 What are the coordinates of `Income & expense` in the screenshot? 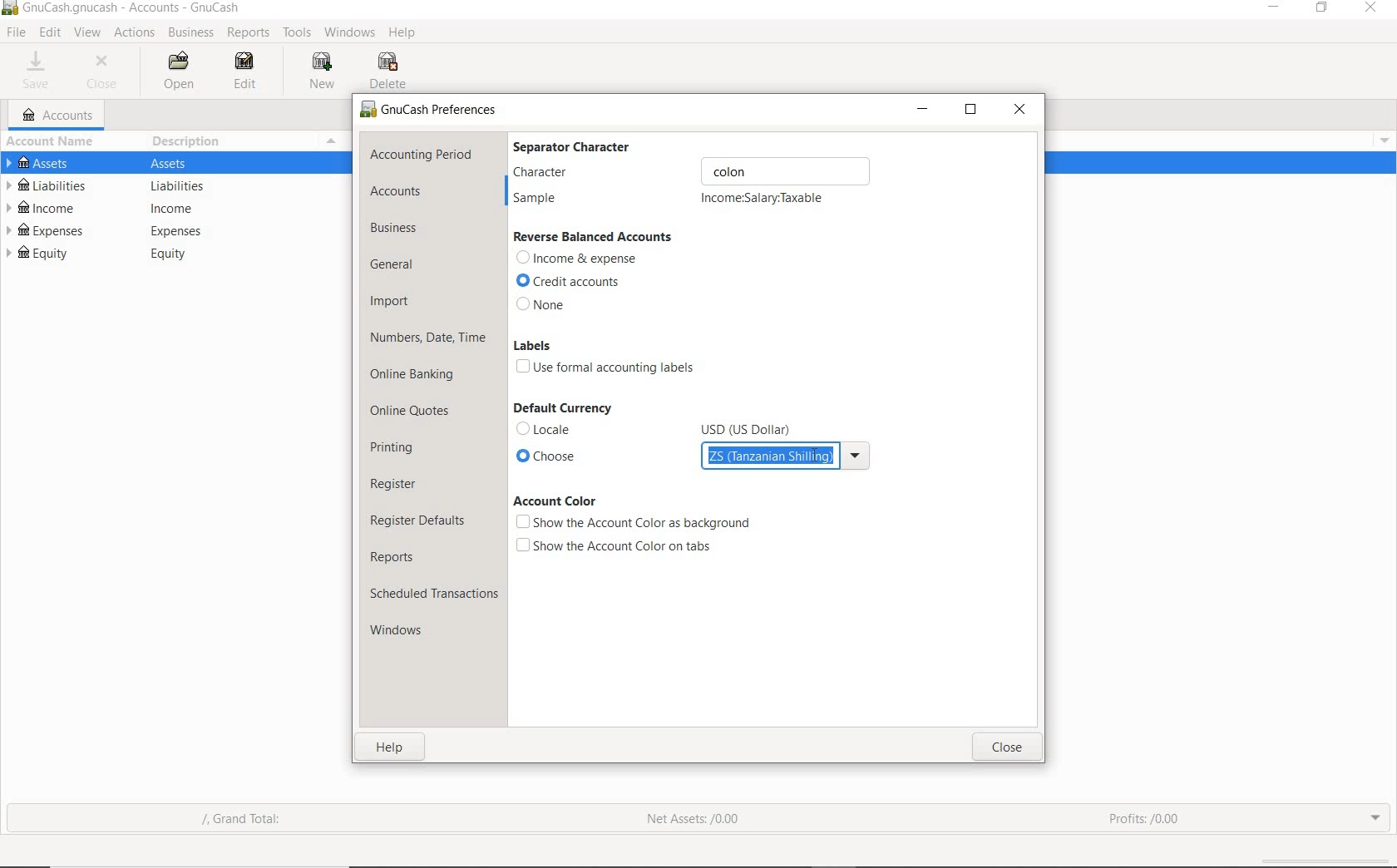 It's located at (578, 259).